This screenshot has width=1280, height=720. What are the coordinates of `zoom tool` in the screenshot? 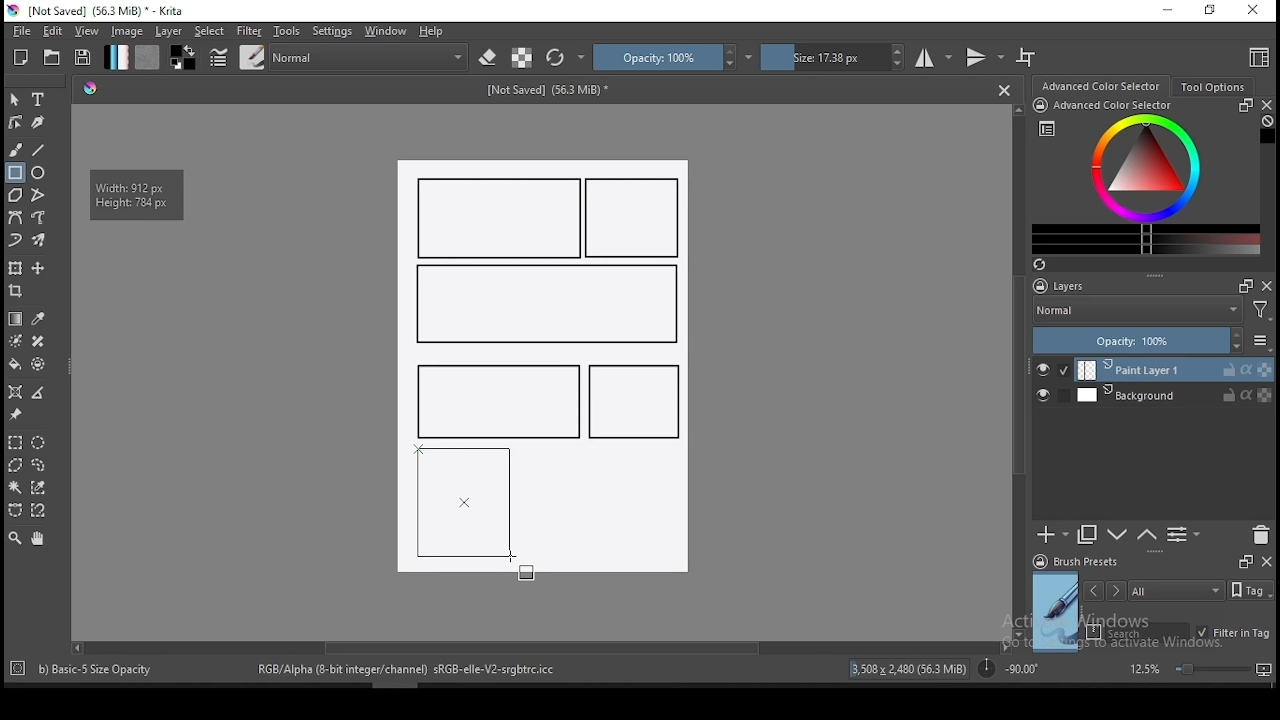 It's located at (15, 537).